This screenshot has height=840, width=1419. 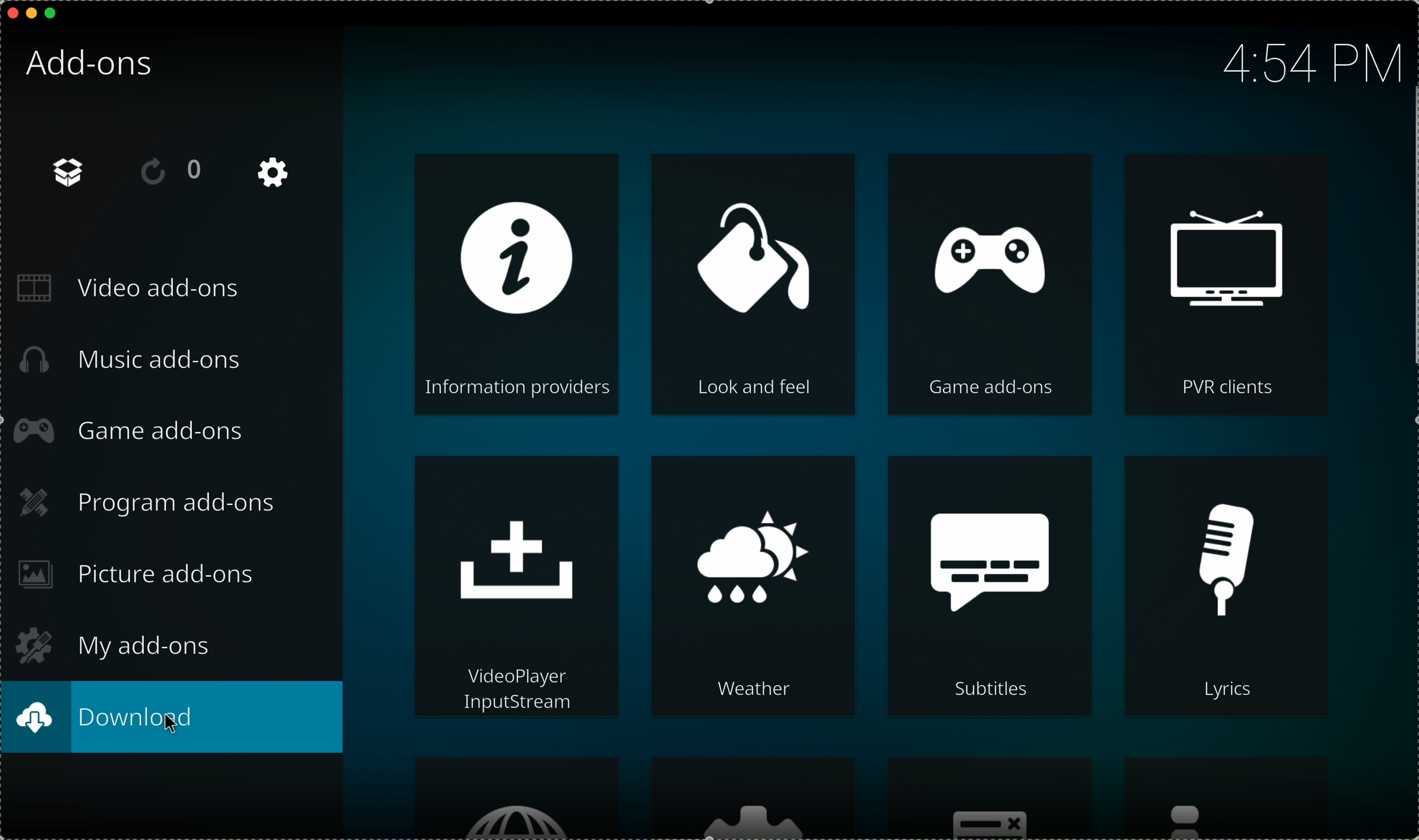 I want to click on program add-ons, so click(x=154, y=502).